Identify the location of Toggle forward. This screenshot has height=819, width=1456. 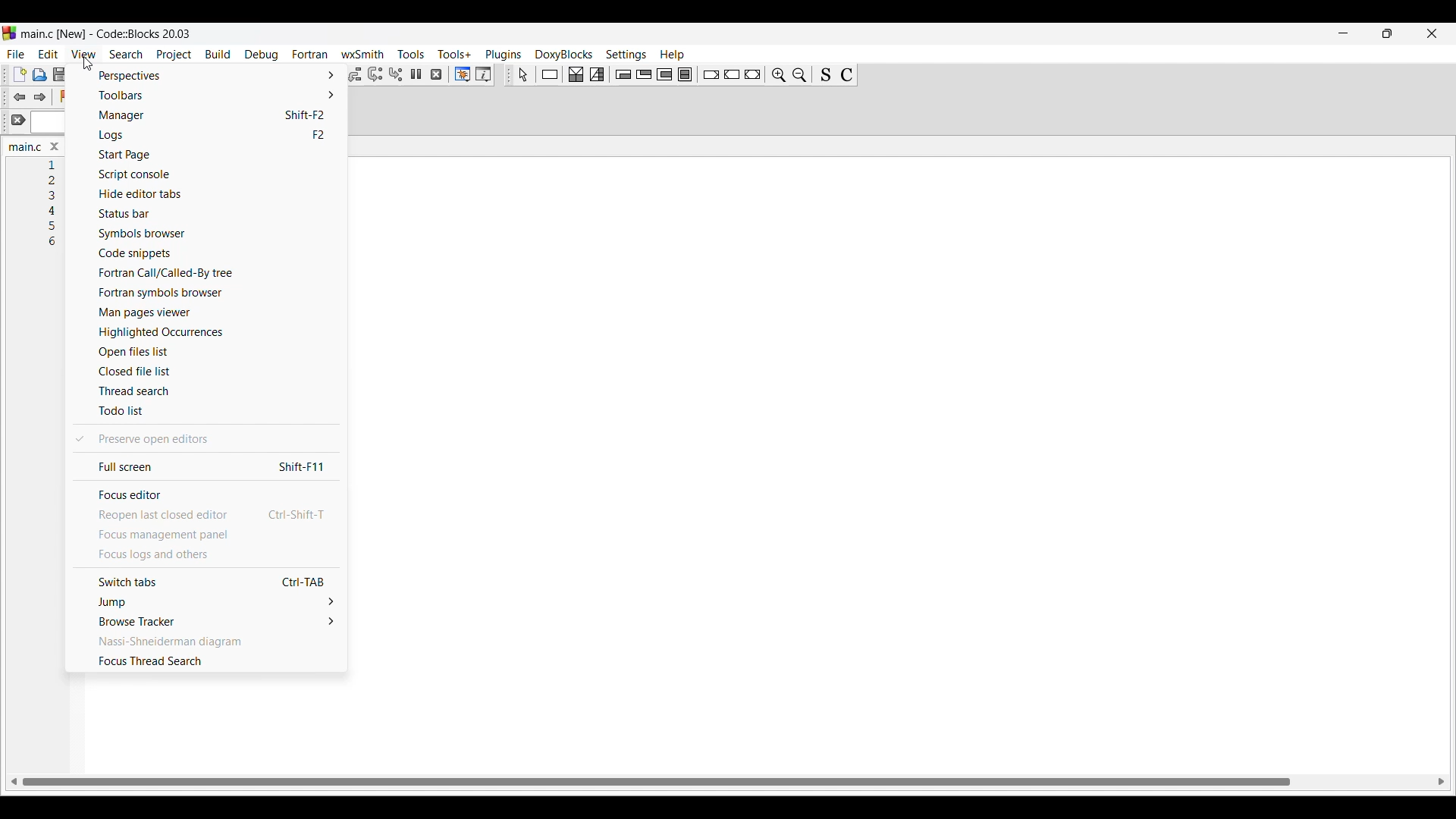
(40, 97).